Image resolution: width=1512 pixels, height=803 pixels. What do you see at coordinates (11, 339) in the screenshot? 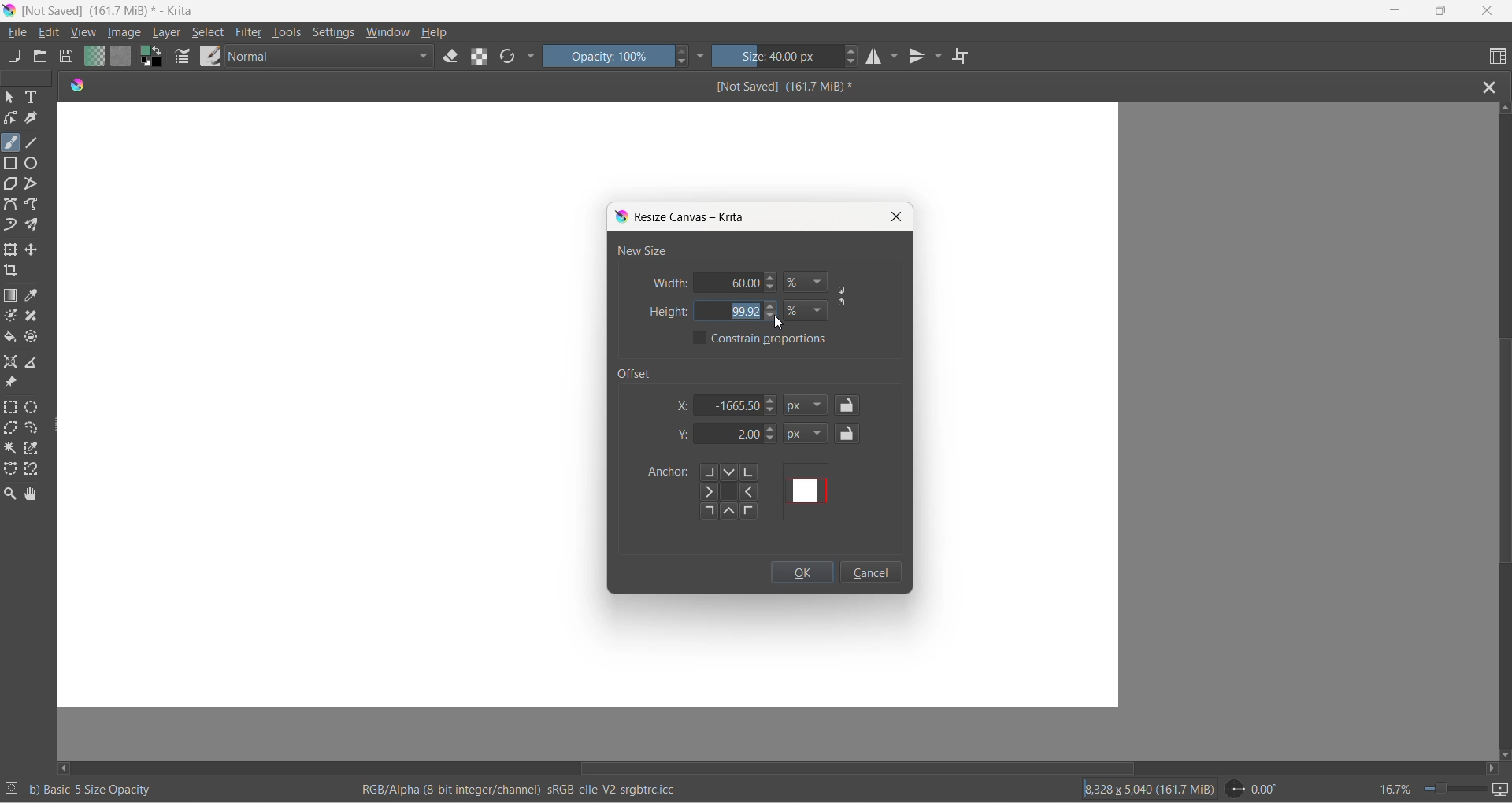
I see `fill color` at bounding box center [11, 339].